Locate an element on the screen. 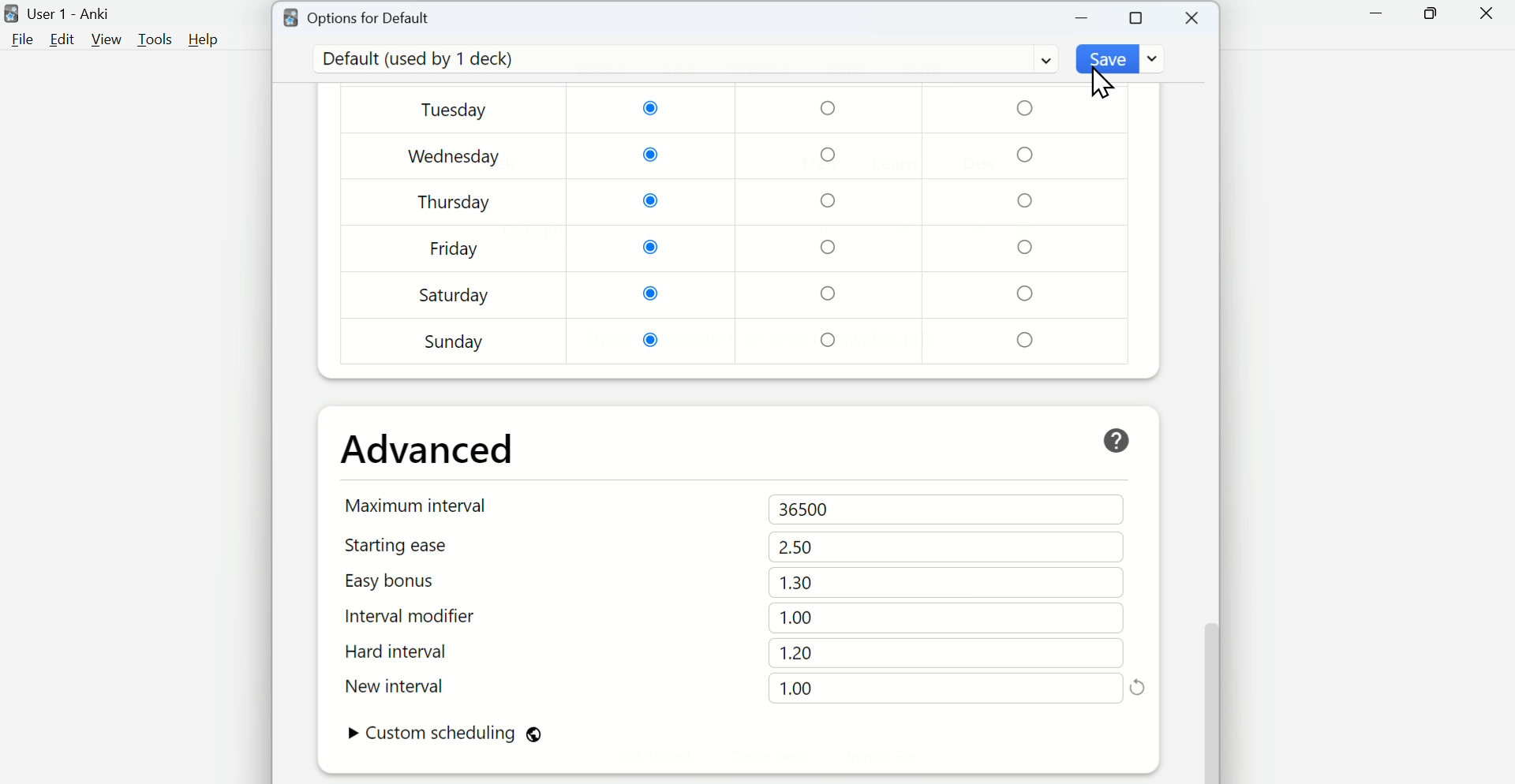 This screenshot has height=784, width=1515. Options for Default is located at coordinates (357, 16).